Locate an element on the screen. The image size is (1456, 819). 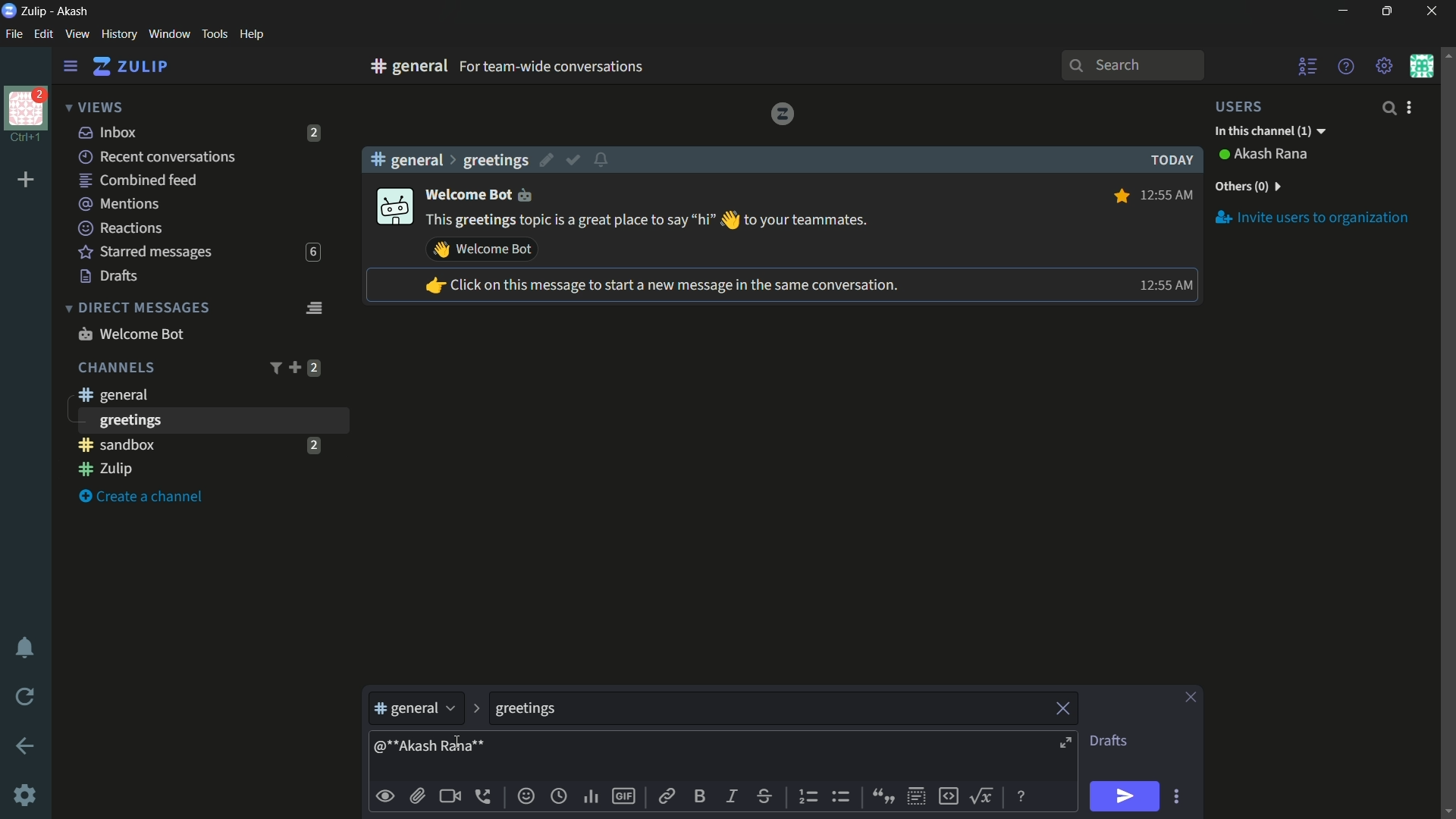
search is located at coordinates (1388, 108).